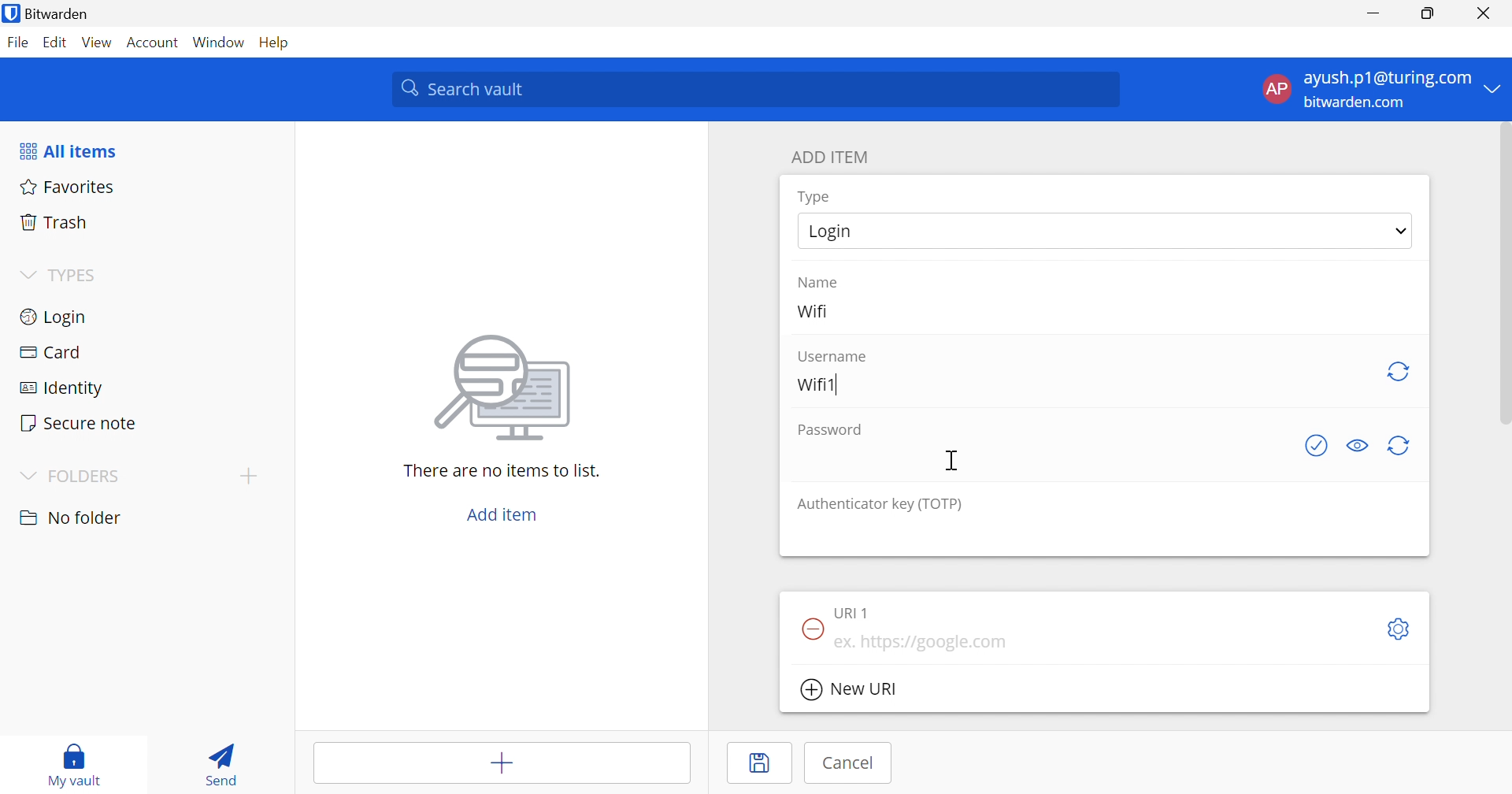 This screenshot has height=794, width=1512. What do you see at coordinates (65, 185) in the screenshot?
I see `Favorites` at bounding box center [65, 185].